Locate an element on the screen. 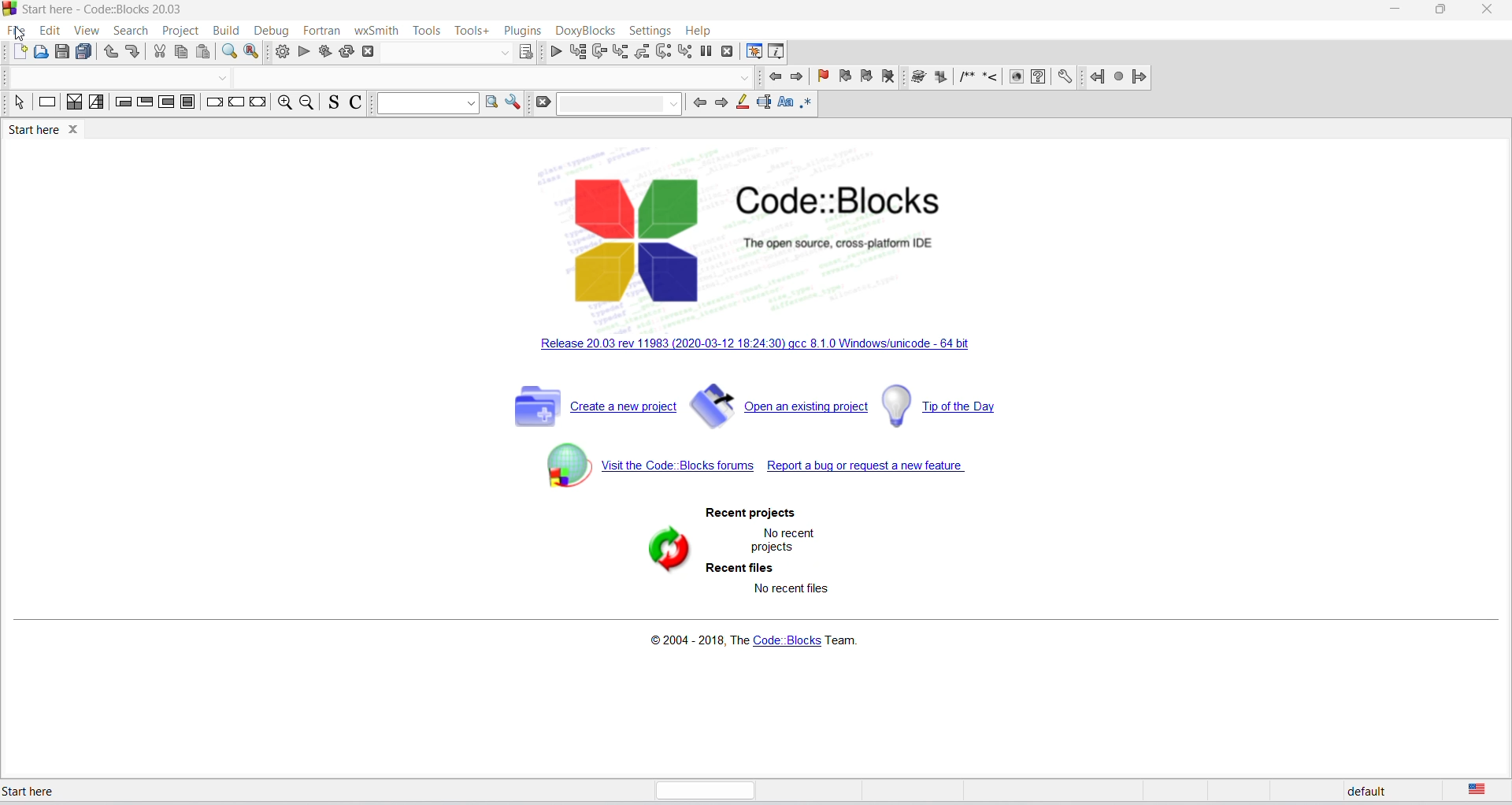 The height and width of the screenshot is (805, 1512). exit condition loop is located at coordinates (146, 106).